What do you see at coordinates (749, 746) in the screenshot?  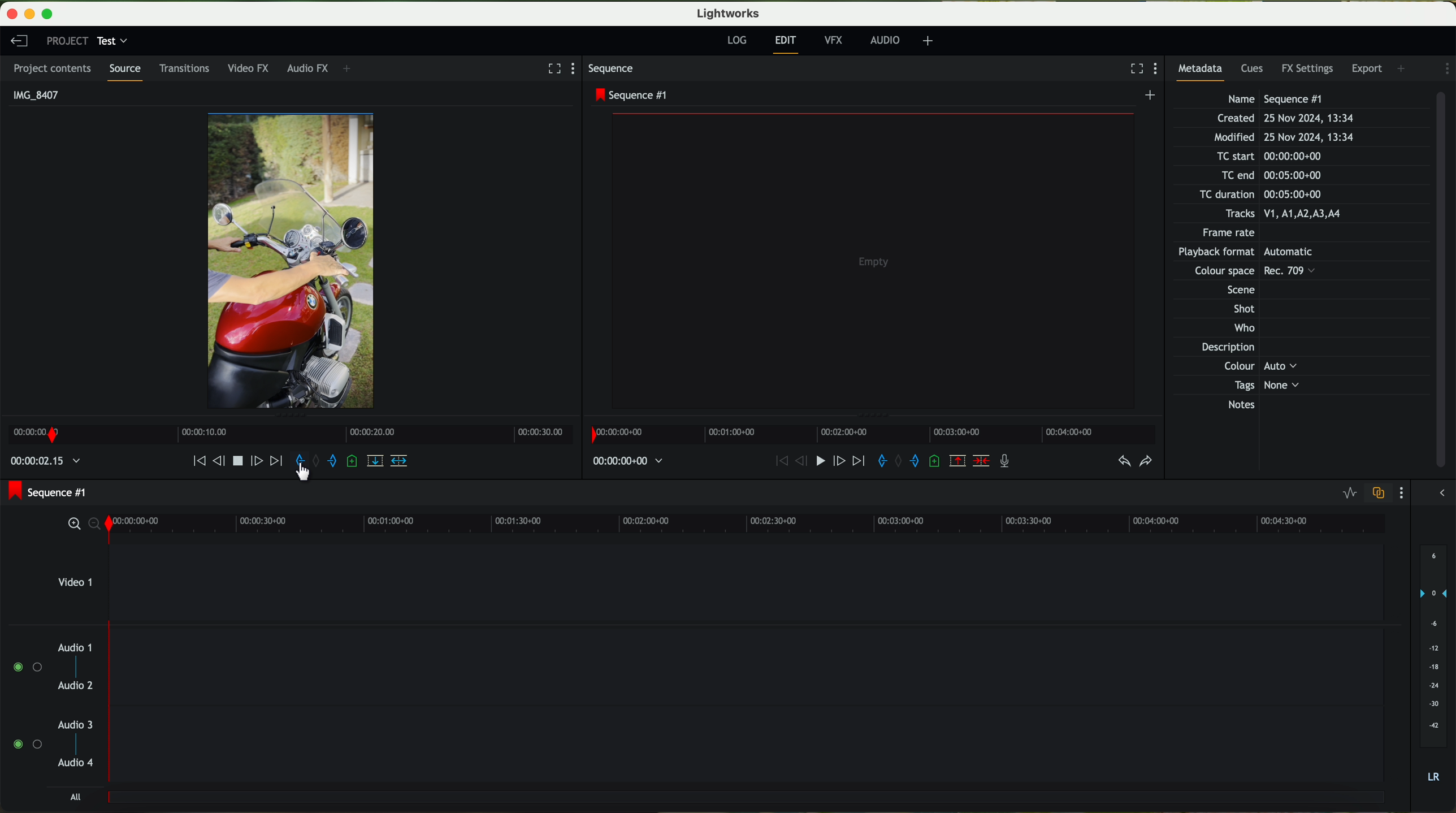 I see `track` at bounding box center [749, 746].